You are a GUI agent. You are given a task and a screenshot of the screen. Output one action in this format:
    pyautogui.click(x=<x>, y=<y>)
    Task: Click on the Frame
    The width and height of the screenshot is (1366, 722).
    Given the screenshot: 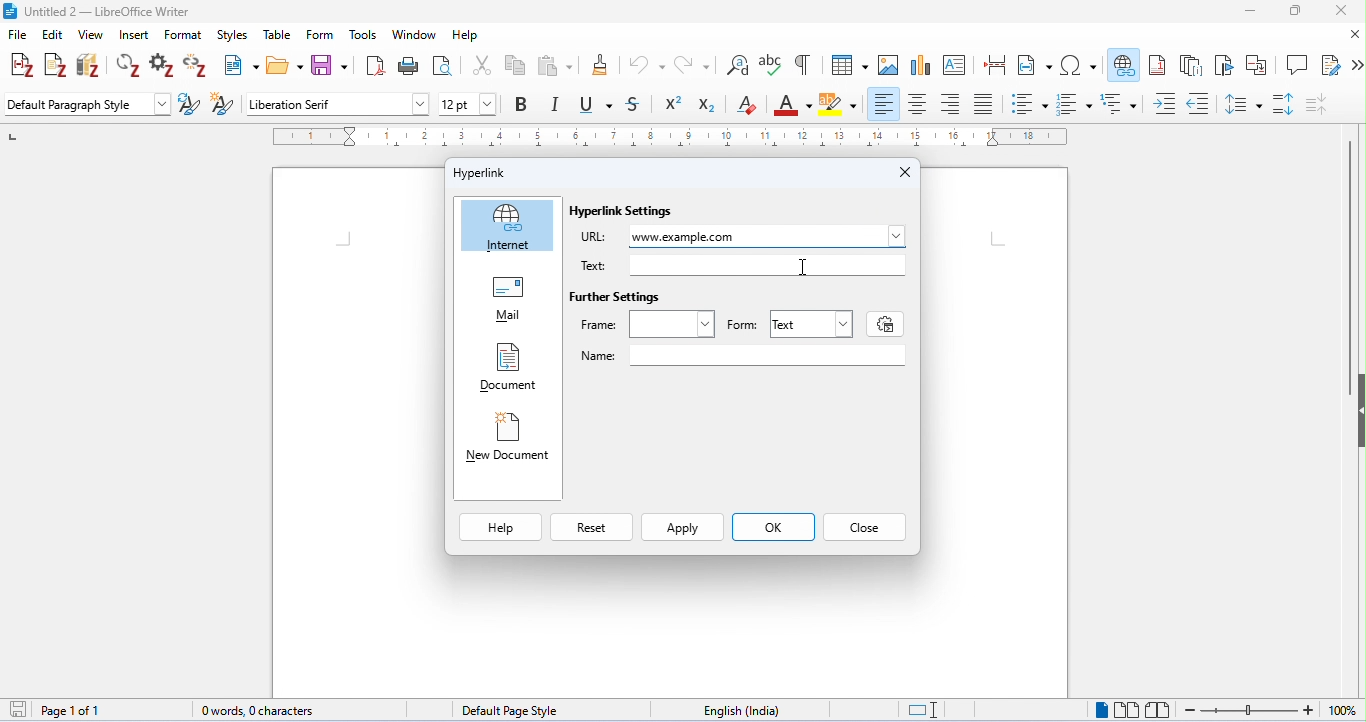 What is the action you would take?
    pyautogui.click(x=637, y=320)
    